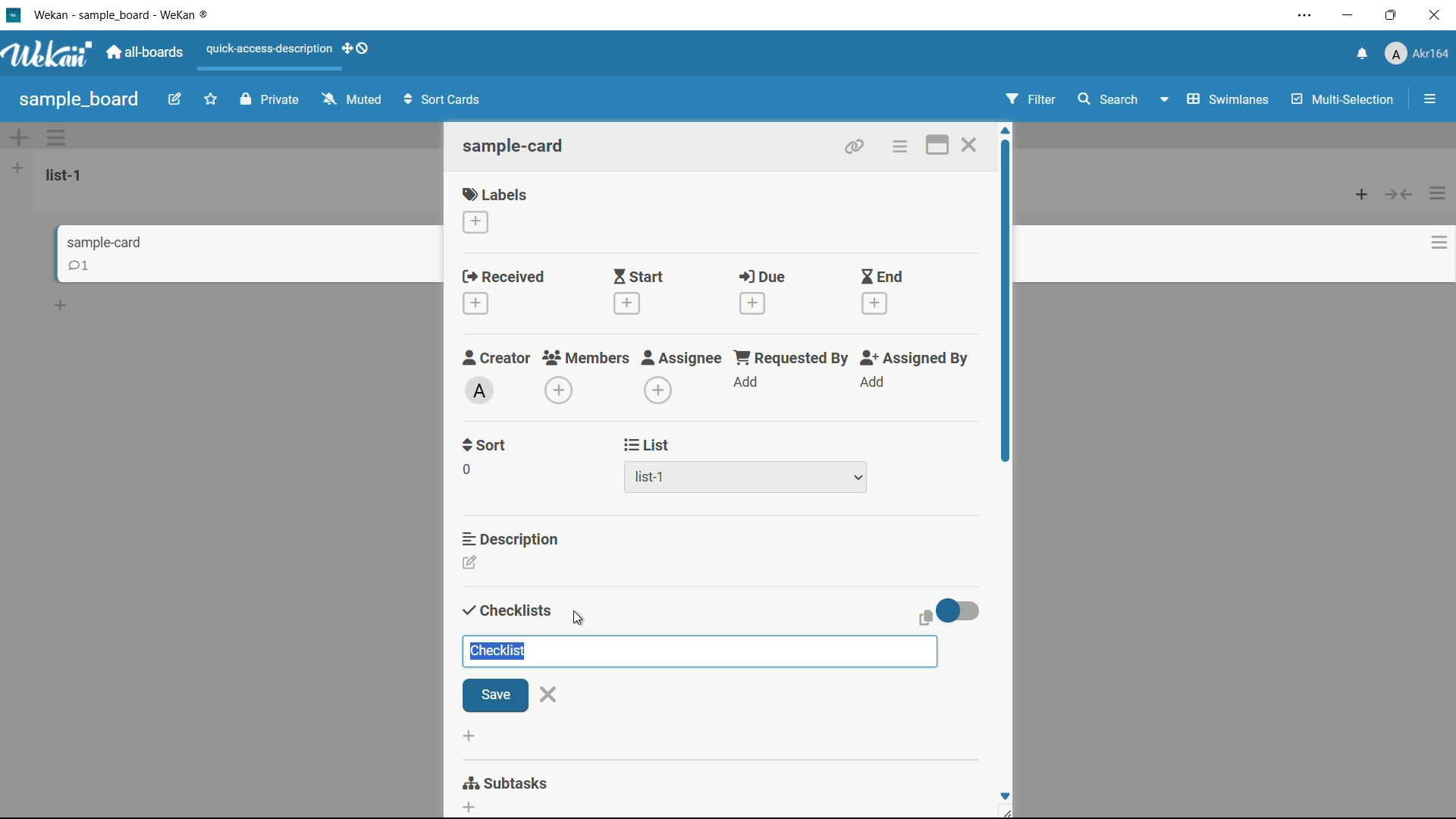 Image resolution: width=1456 pixels, height=819 pixels. Describe the element at coordinates (882, 277) in the screenshot. I see `end` at that location.